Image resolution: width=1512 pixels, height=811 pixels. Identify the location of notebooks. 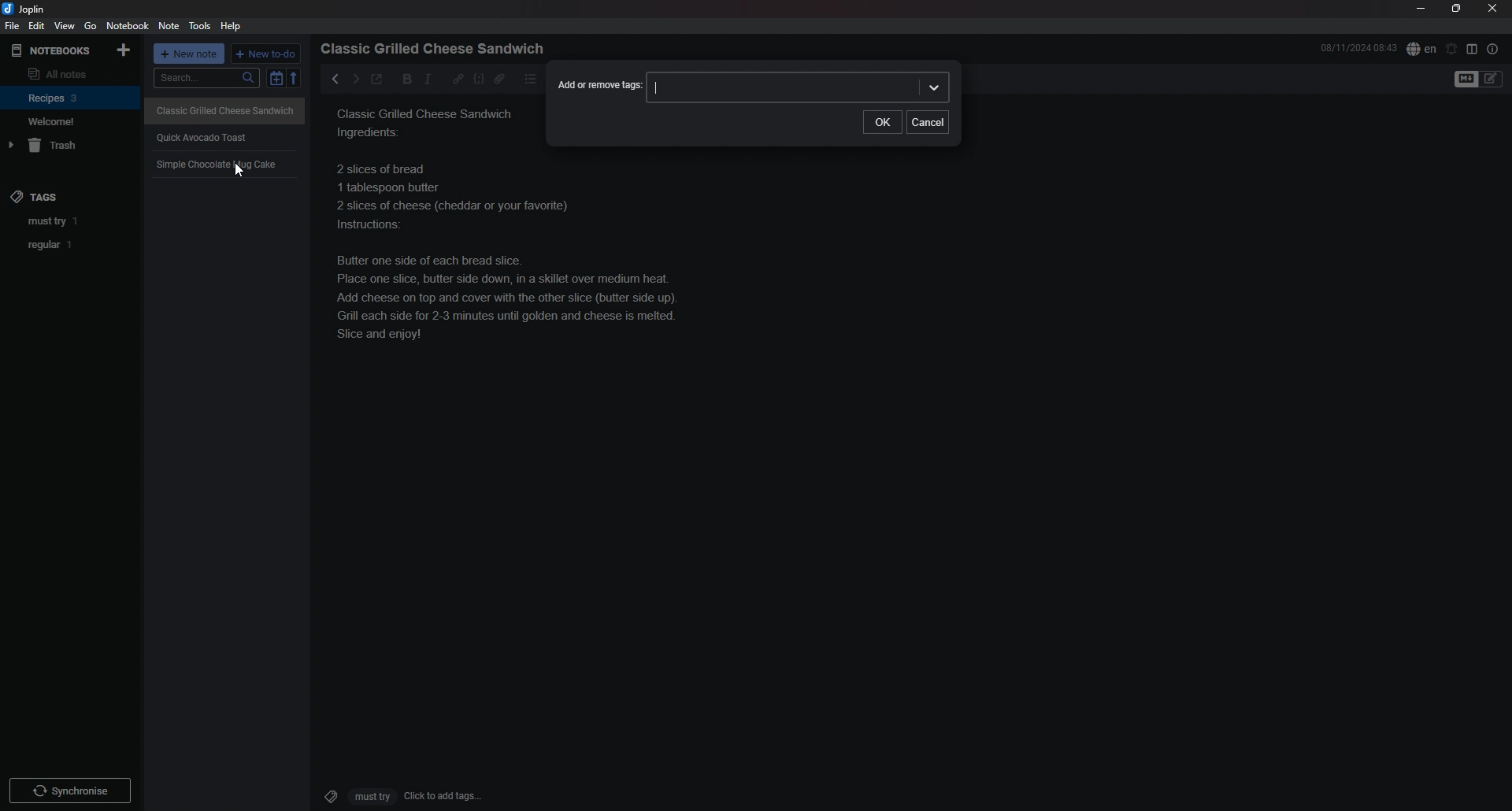
(53, 50).